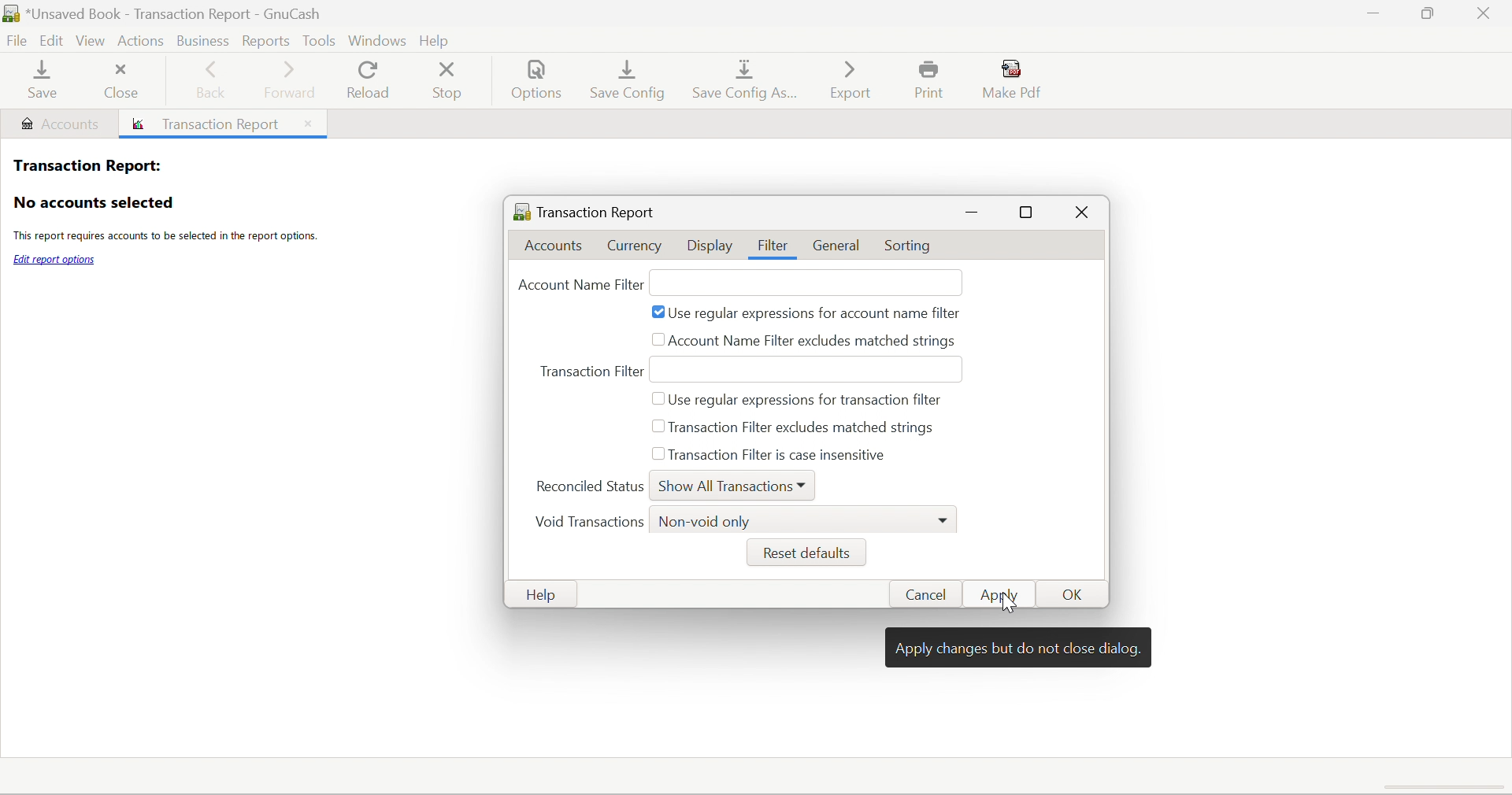  Describe the element at coordinates (93, 42) in the screenshot. I see `View` at that location.